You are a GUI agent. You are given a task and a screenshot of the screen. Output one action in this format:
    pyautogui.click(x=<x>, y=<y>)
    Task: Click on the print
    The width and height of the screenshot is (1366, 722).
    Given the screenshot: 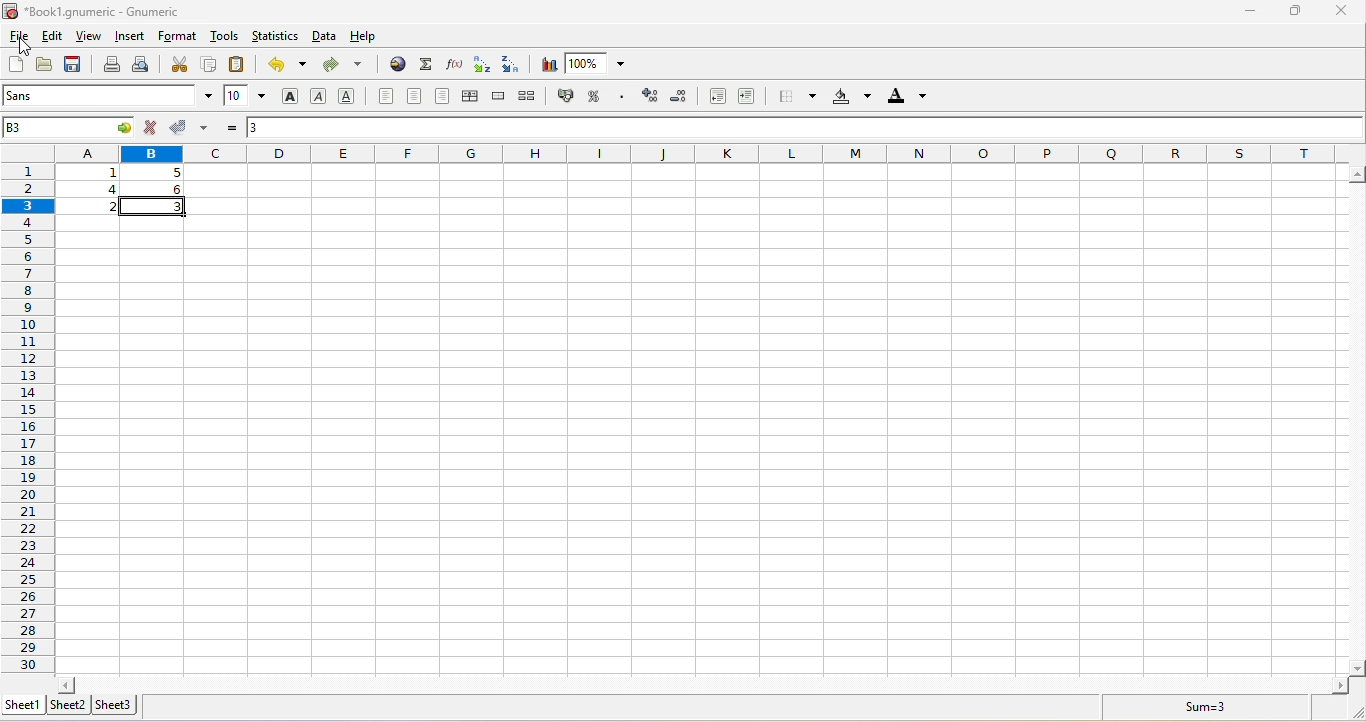 What is the action you would take?
    pyautogui.click(x=111, y=66)
    